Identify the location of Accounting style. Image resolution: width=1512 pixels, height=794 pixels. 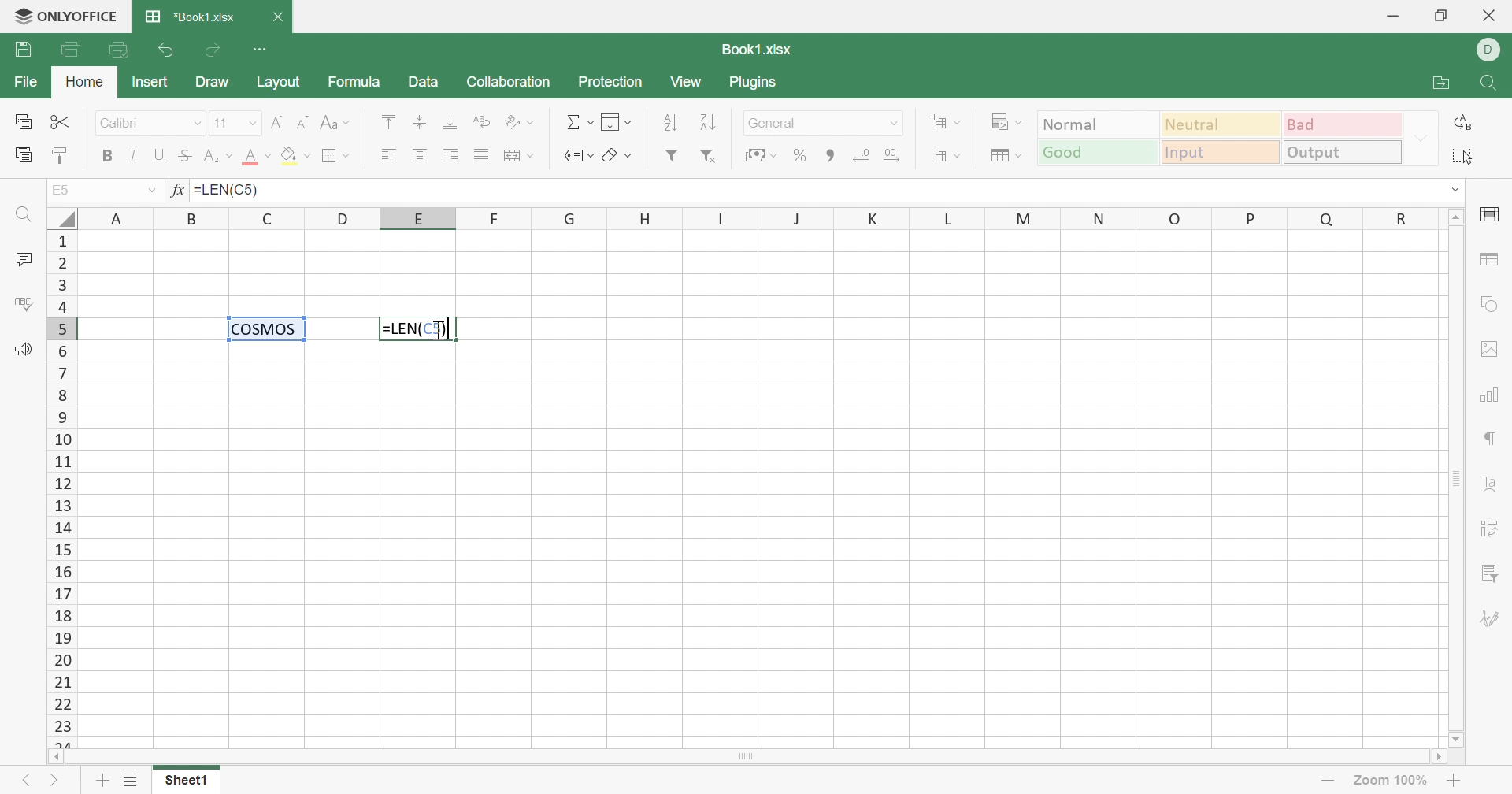
(763, 155).